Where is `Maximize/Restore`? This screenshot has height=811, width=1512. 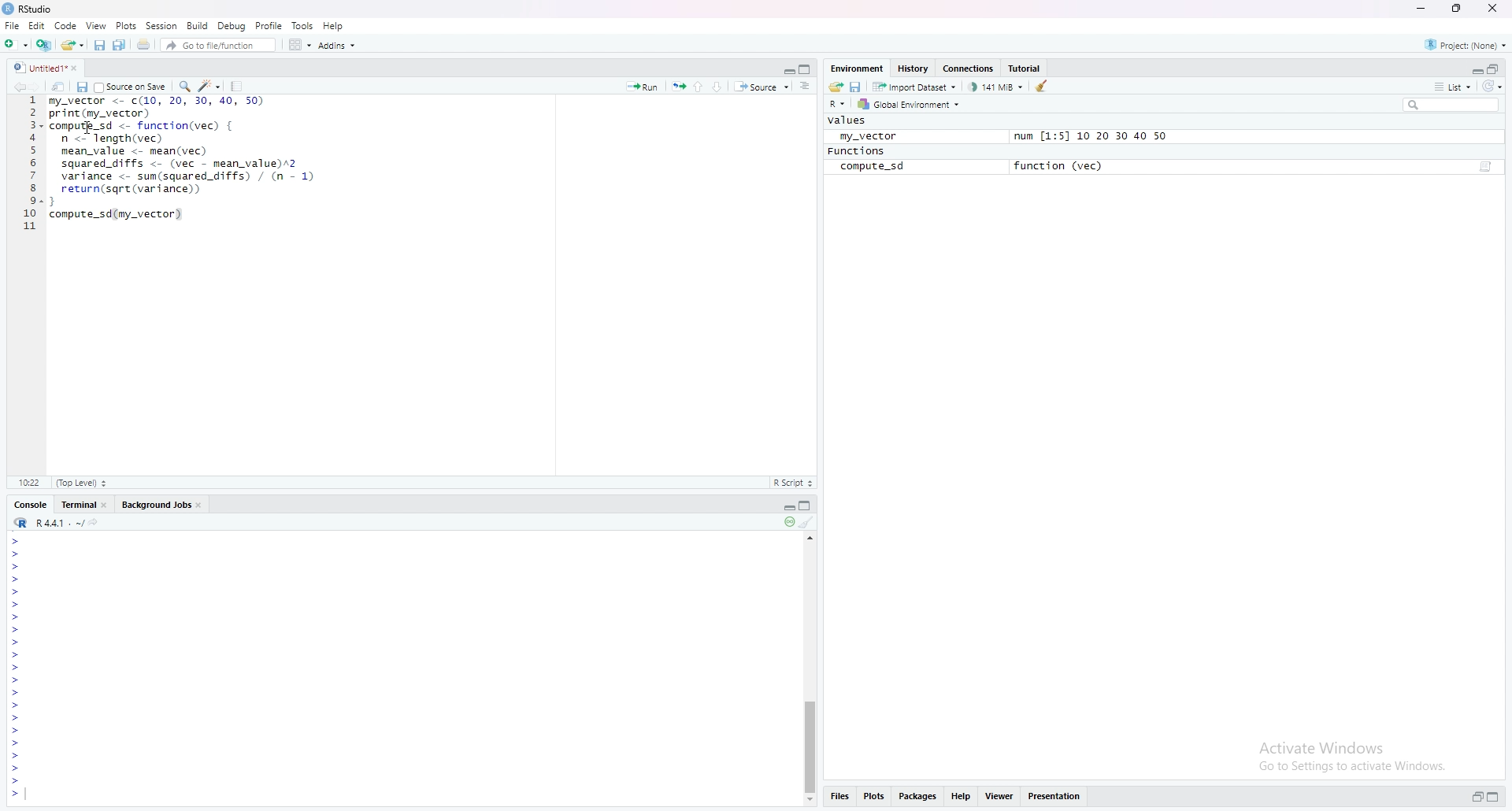
Maximize/Restore is located at coordinates (1455, 9).